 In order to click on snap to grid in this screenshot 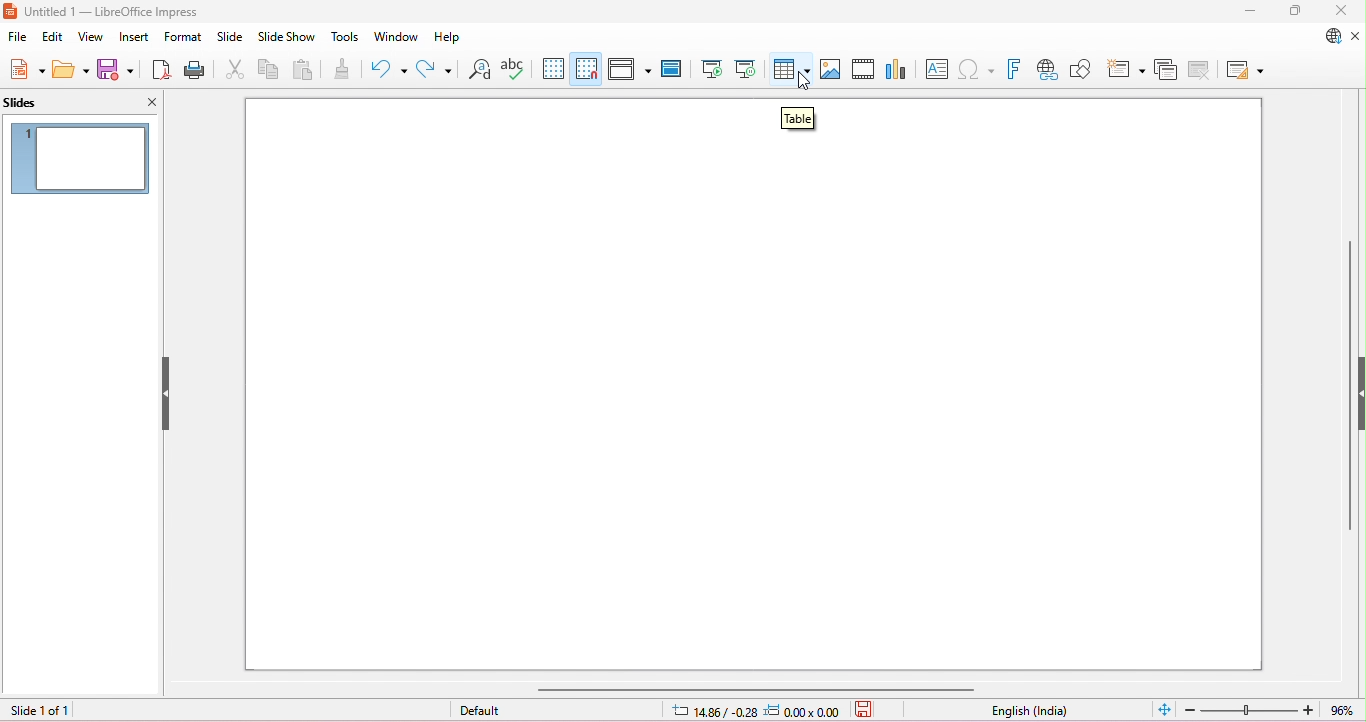, I will do `click(587, 69)`.